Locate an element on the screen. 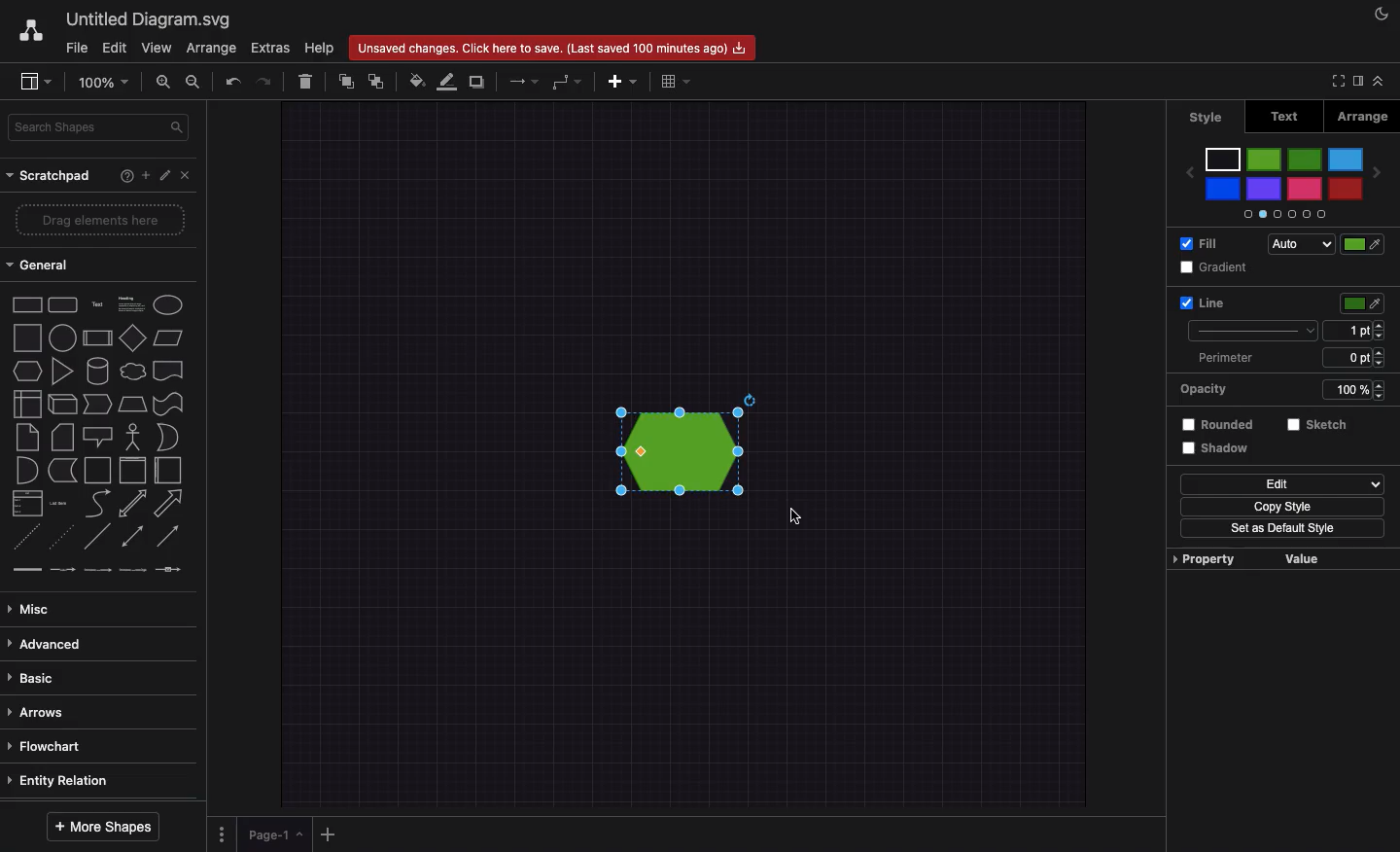 Image resolution: width=1400 pixels, height=852 pixels. Shapes is located at coordinates (94, 434).